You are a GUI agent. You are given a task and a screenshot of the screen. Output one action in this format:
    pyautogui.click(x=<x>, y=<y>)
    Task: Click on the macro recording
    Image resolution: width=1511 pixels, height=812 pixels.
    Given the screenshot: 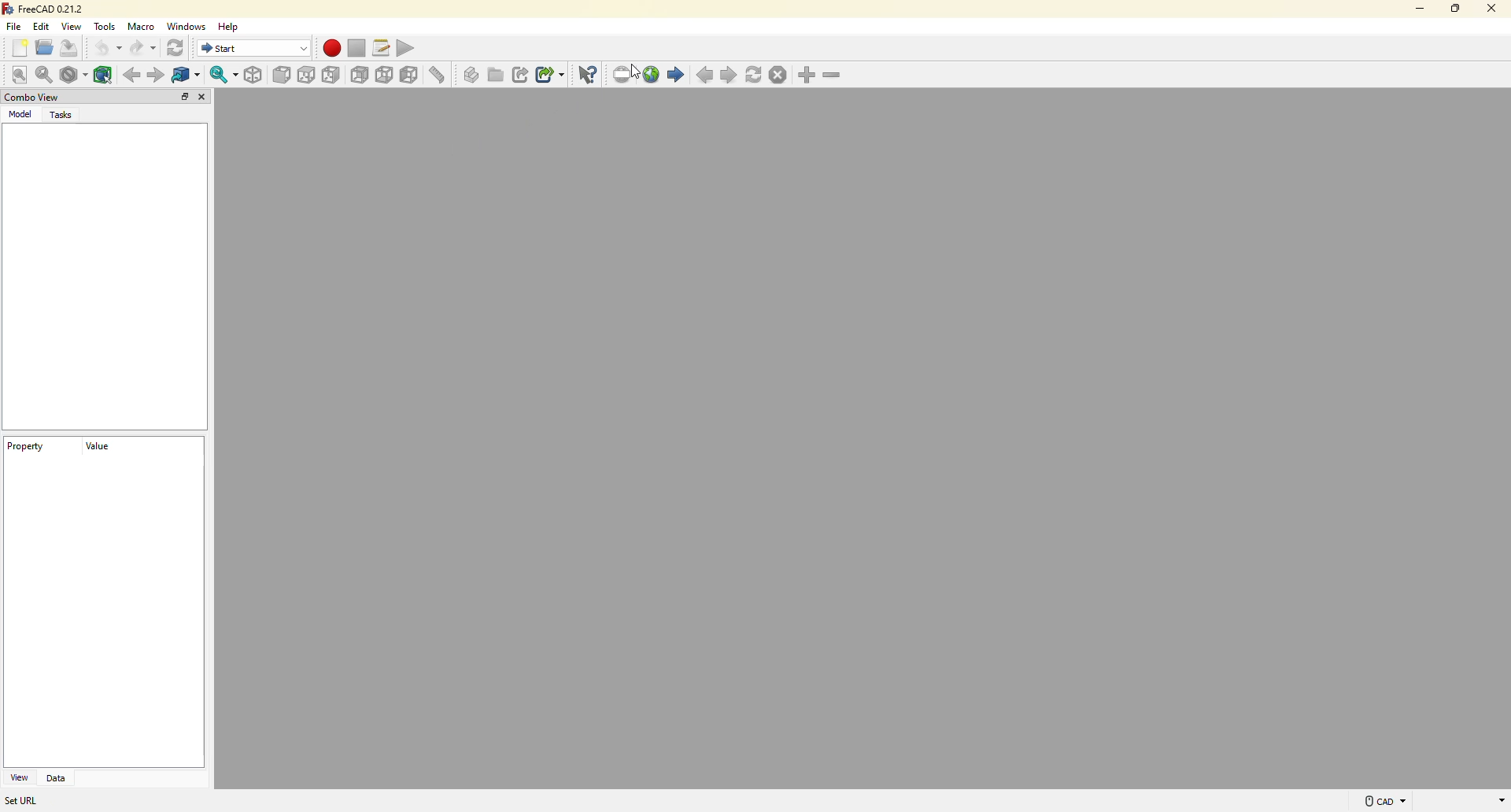 What is the action you would take?
    pyautogui.click(x=331, y=48)
    